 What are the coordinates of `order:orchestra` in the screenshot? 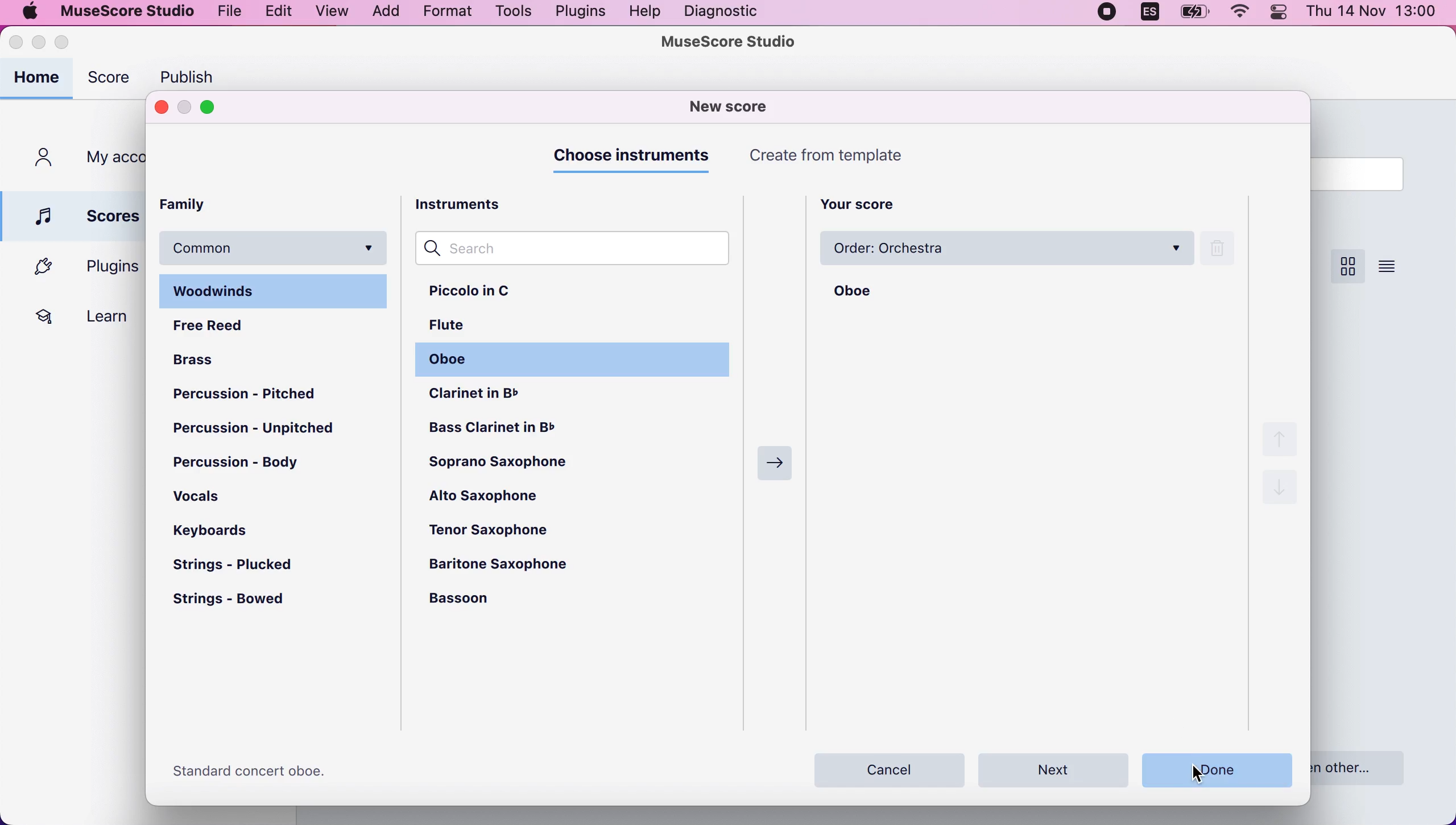 It's located at (1007, 248).